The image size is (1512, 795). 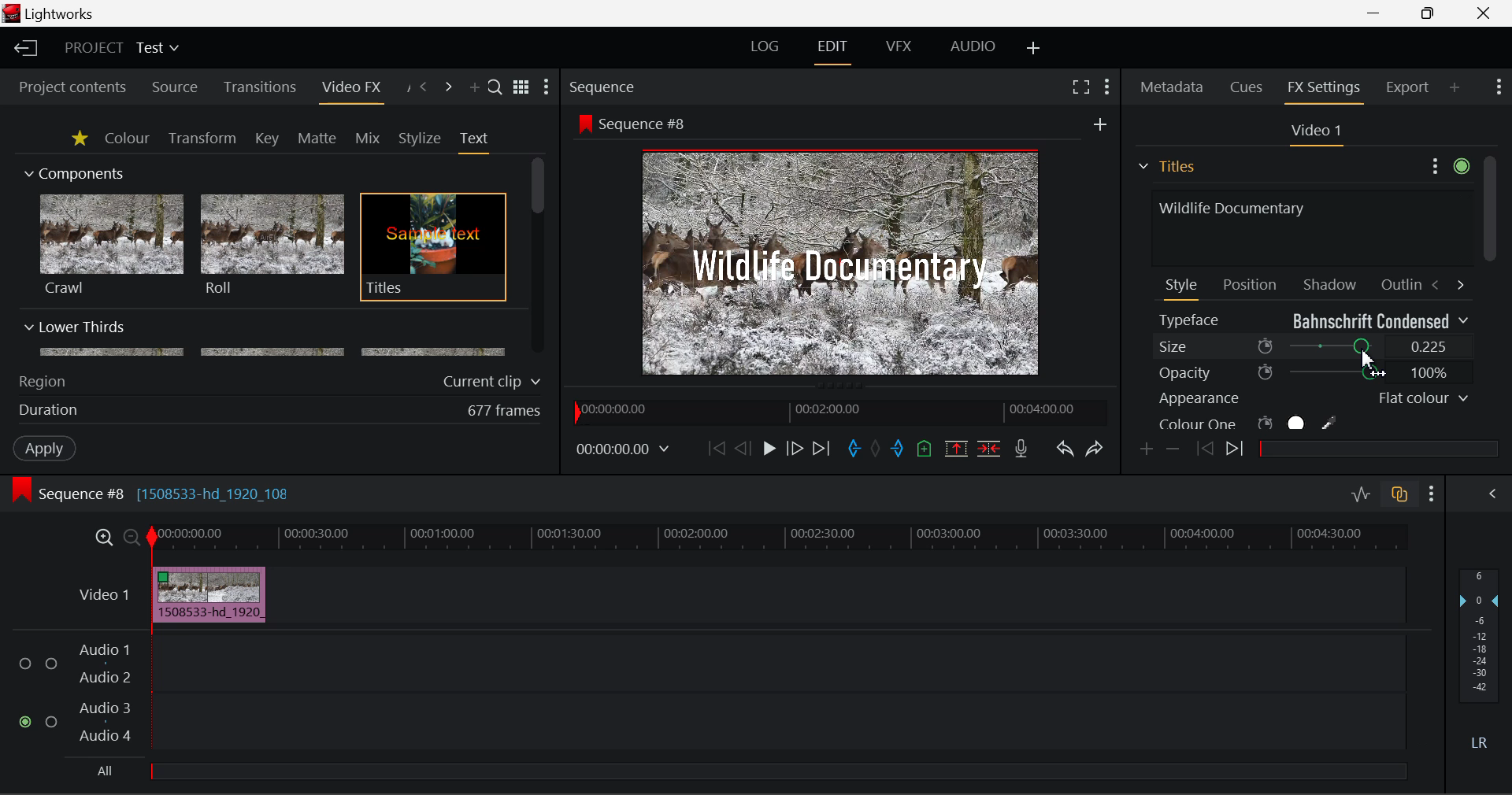 I want to click on Transform, so click(x=204, y=139).